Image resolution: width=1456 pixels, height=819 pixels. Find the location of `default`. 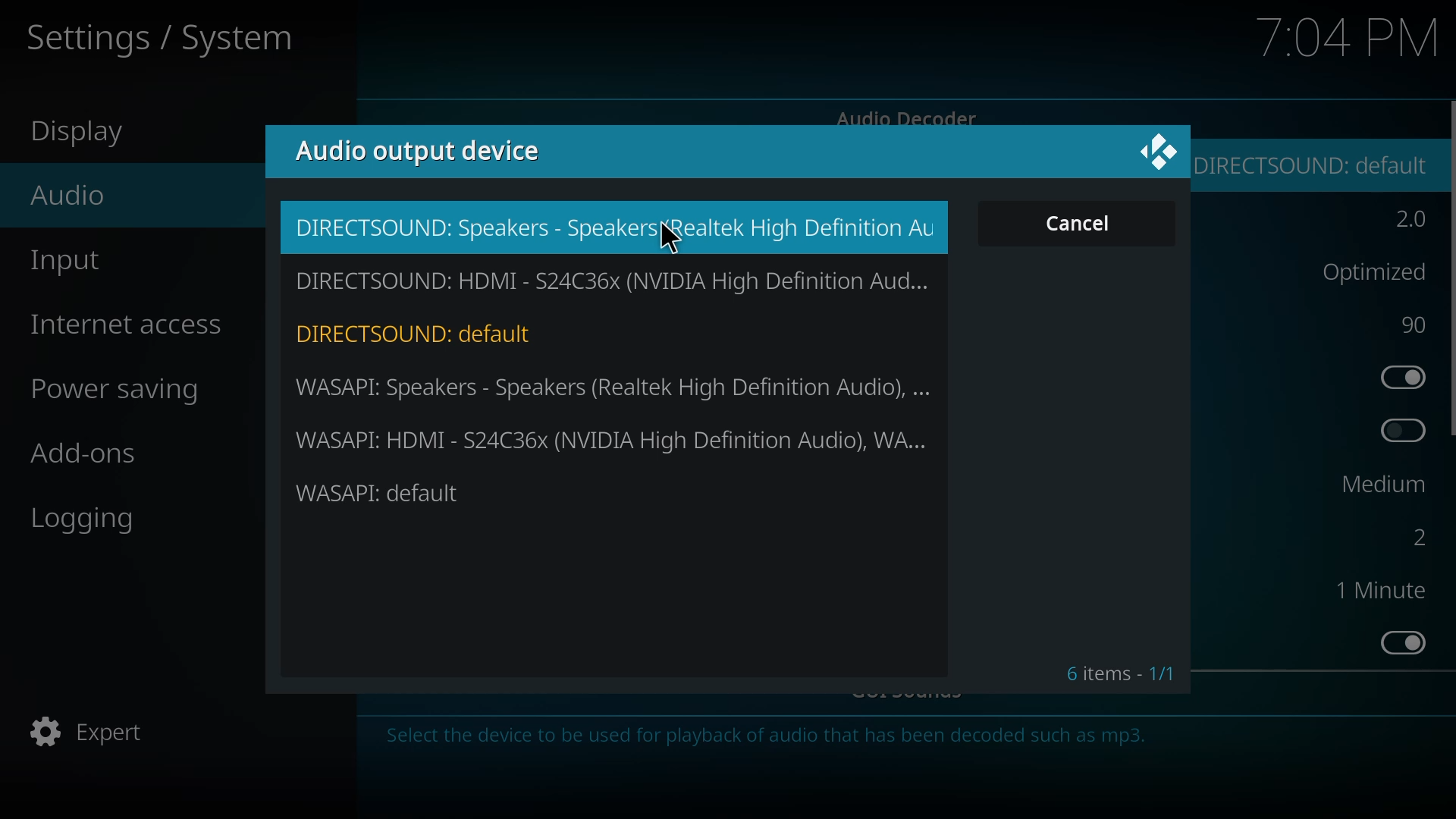

default is located at coordinates (1320, 164).